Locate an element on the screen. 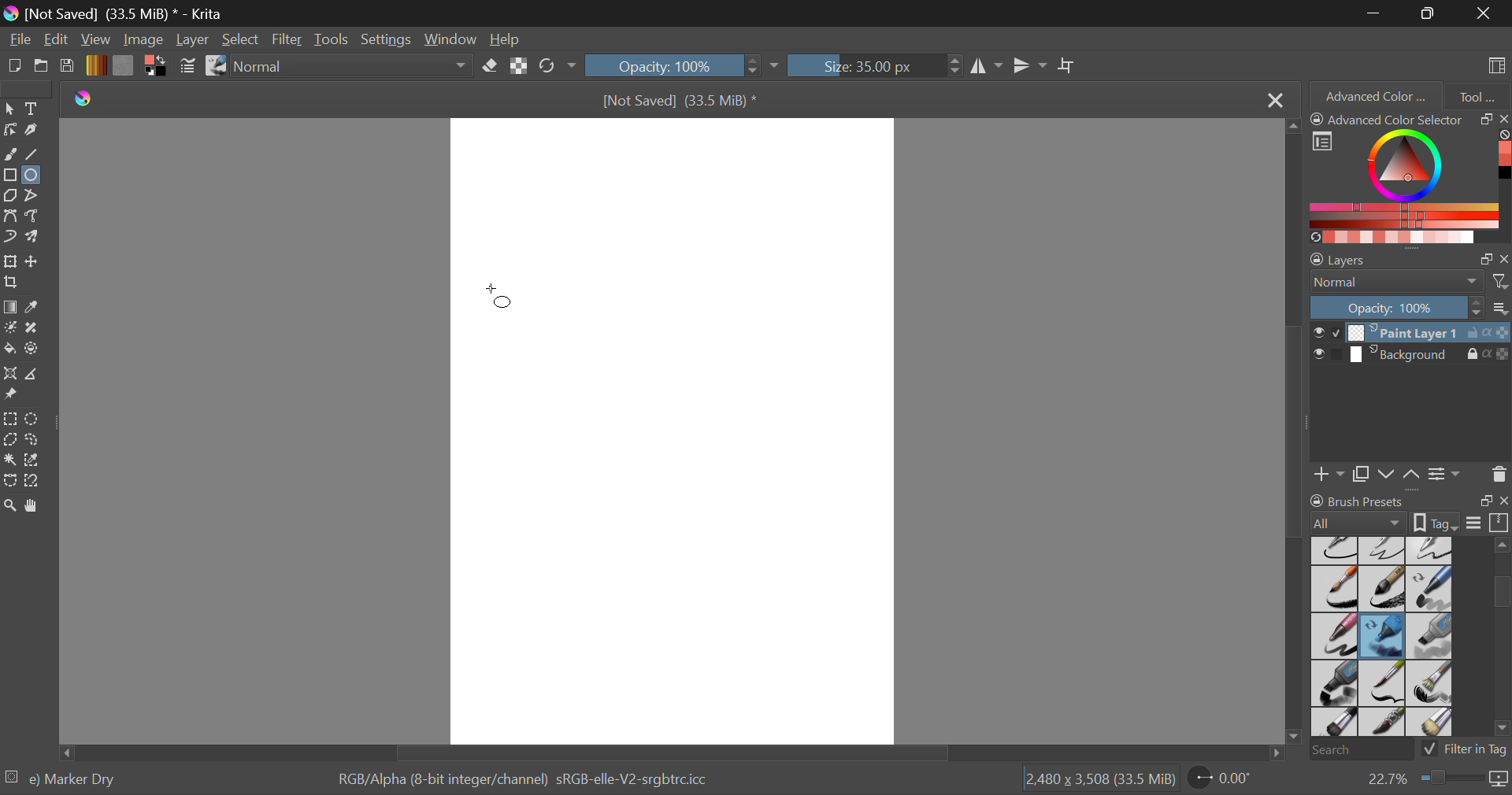 This screenshot has height=795, width=1512. Close is located at coordinates (1273, 101).